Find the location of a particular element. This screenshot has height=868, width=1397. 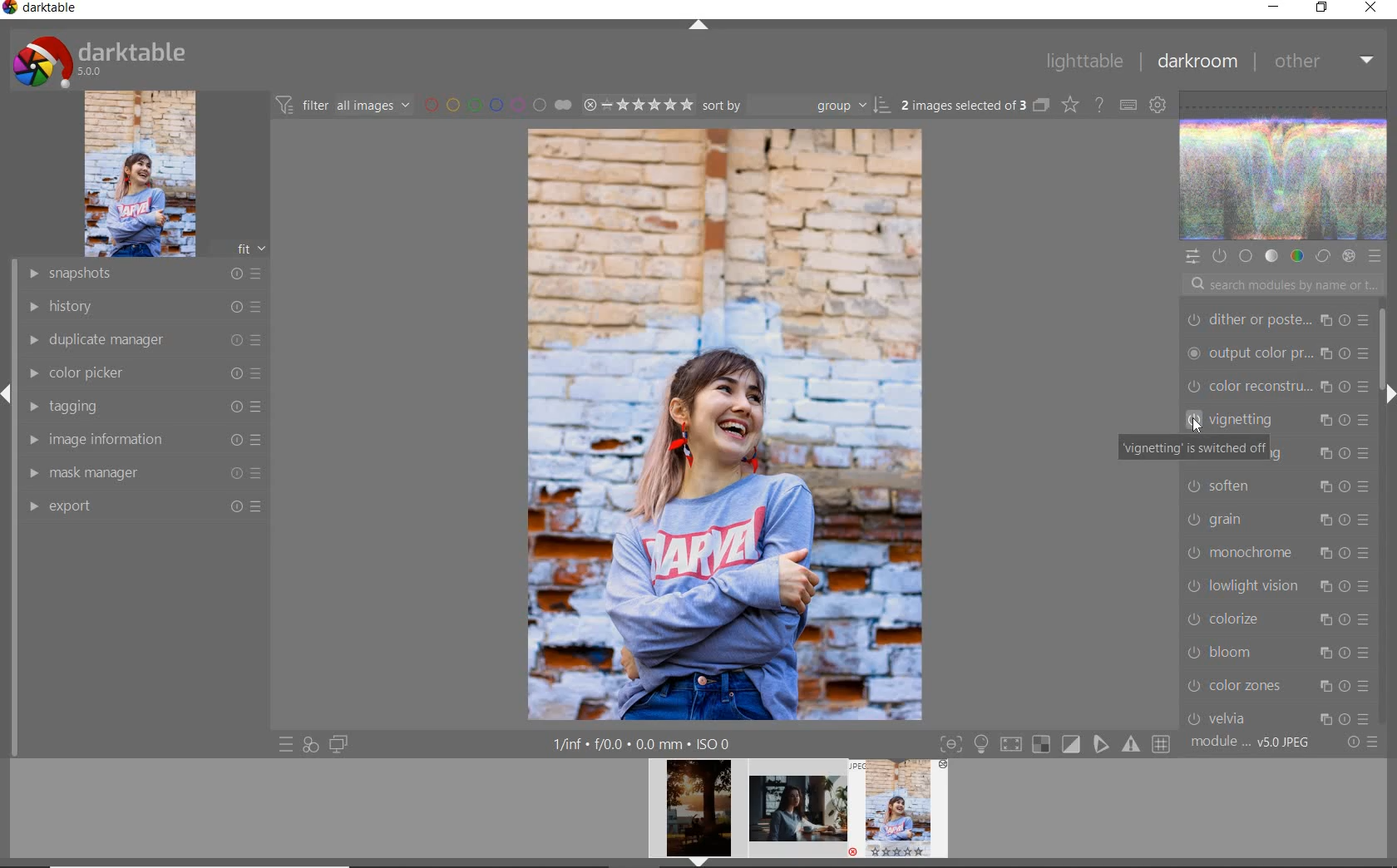

RSTORE is located at coordinates (1319, 8).